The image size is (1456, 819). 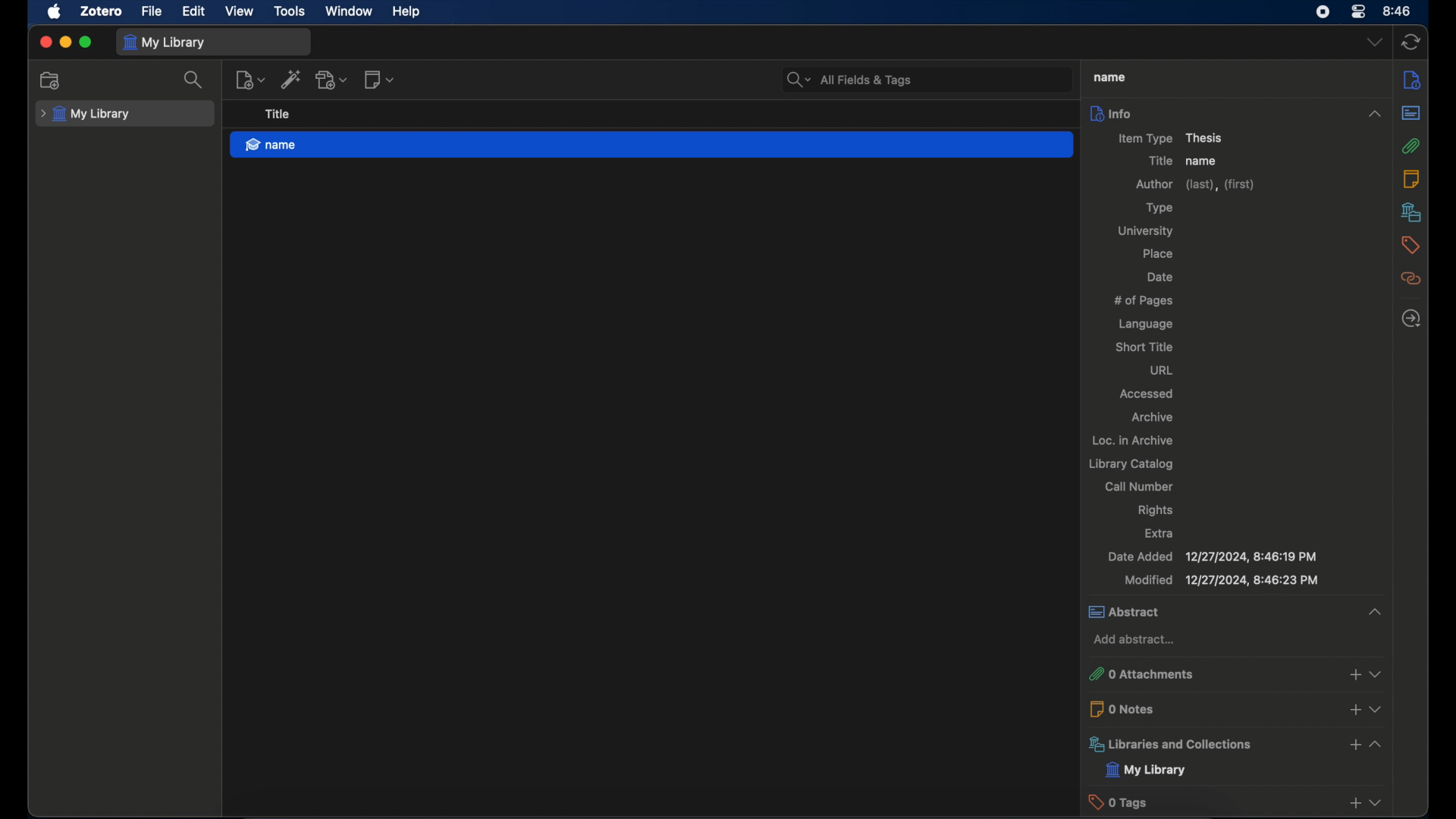 What do you see at coordinates (1411, 146) in the screenshot?
I see `attachments` at bounding box center [1411, 146].